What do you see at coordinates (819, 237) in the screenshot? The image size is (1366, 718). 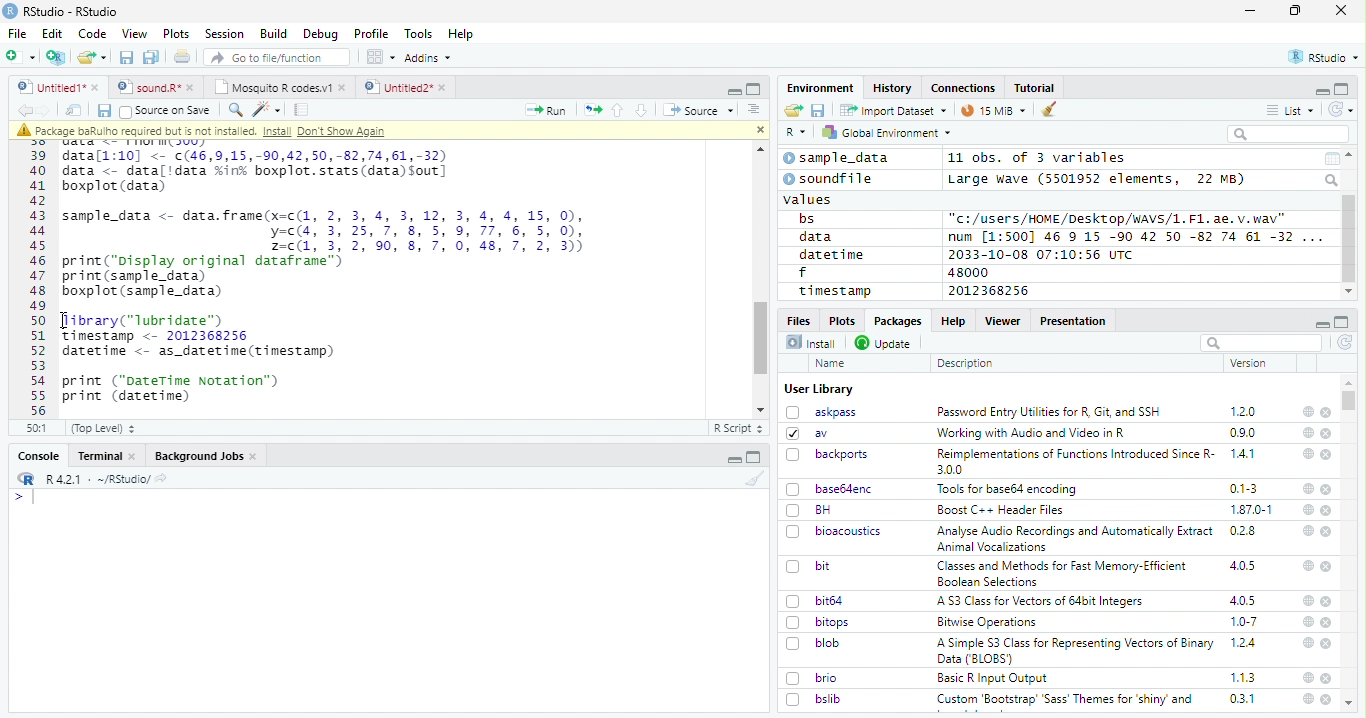 I see `data` at bounding box center [819, 237].